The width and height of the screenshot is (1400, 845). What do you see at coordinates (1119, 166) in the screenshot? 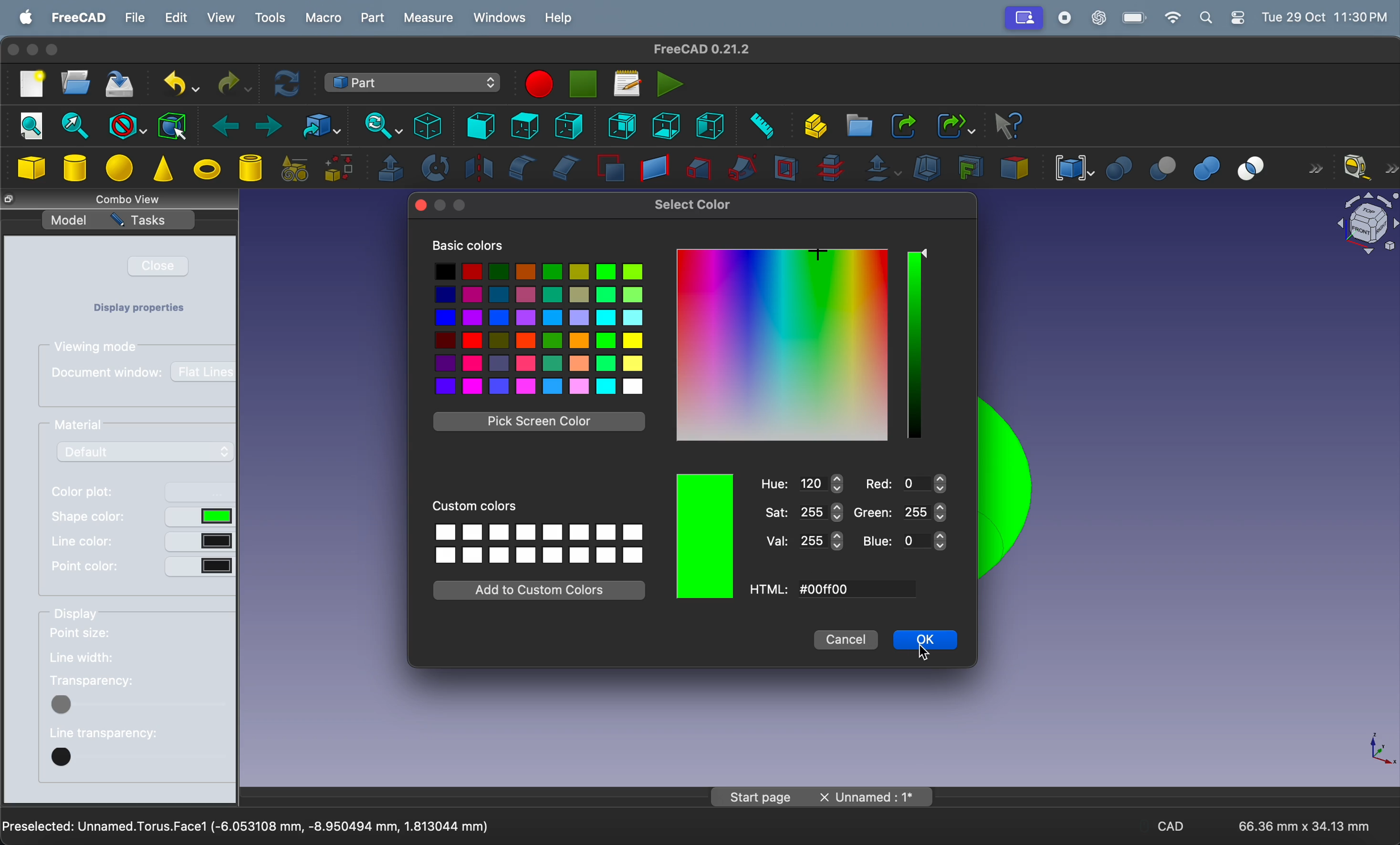
I see `boolean` at bounding box center [1119, 166].